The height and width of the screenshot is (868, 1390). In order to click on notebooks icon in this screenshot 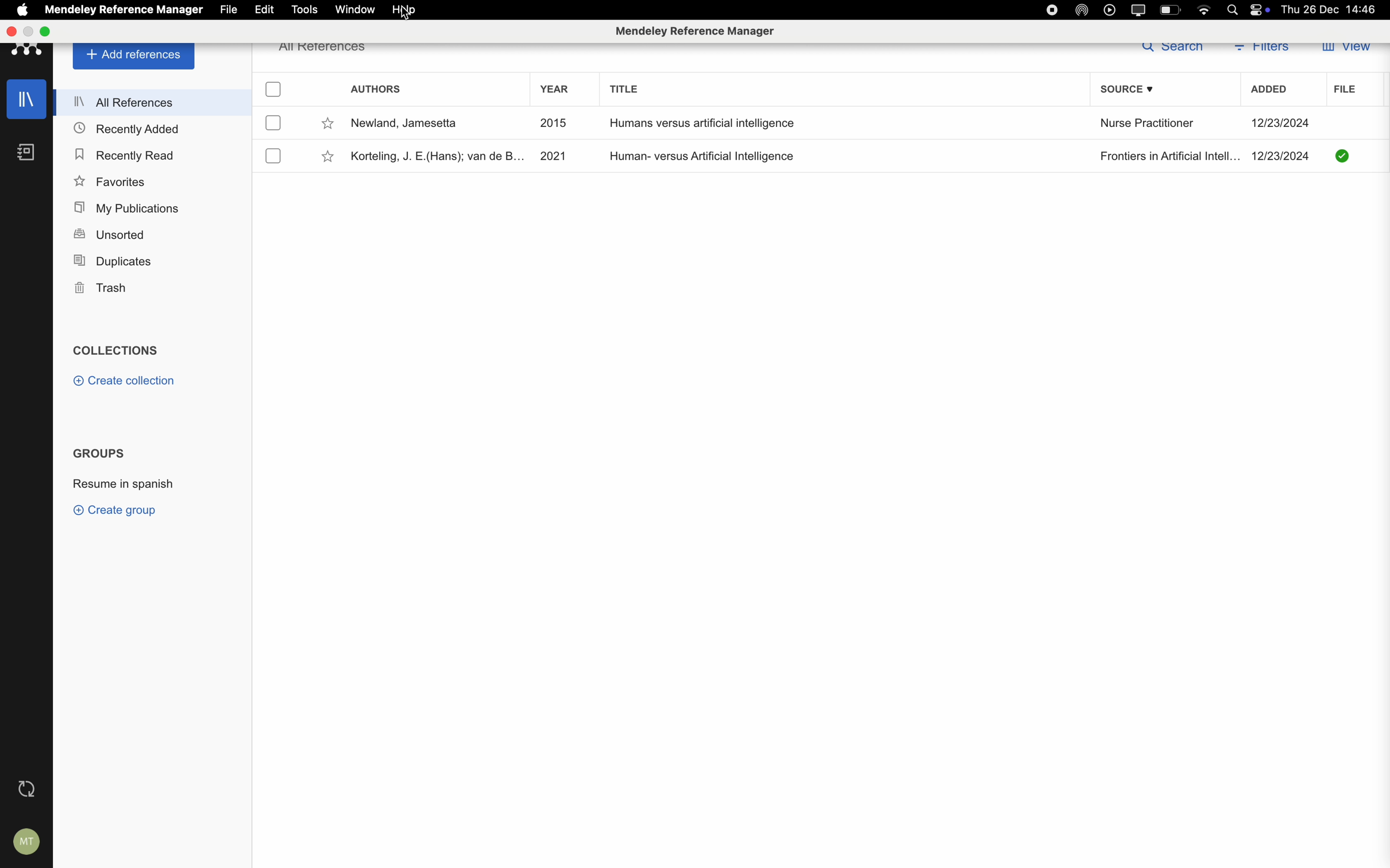, I will do `click(29, 153)`.